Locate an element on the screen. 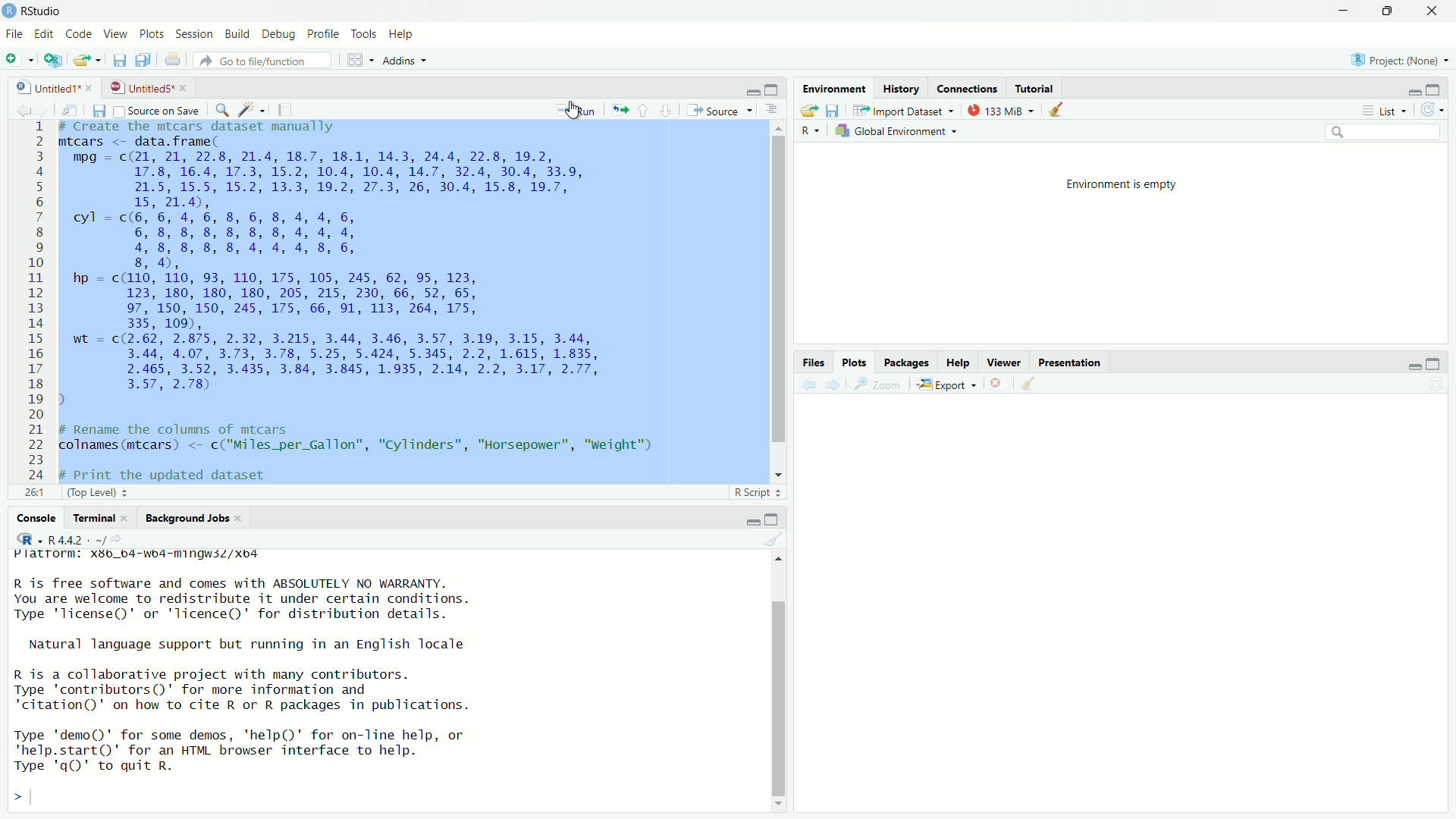  | Untitled5* » is located at coordinates (147, 86).